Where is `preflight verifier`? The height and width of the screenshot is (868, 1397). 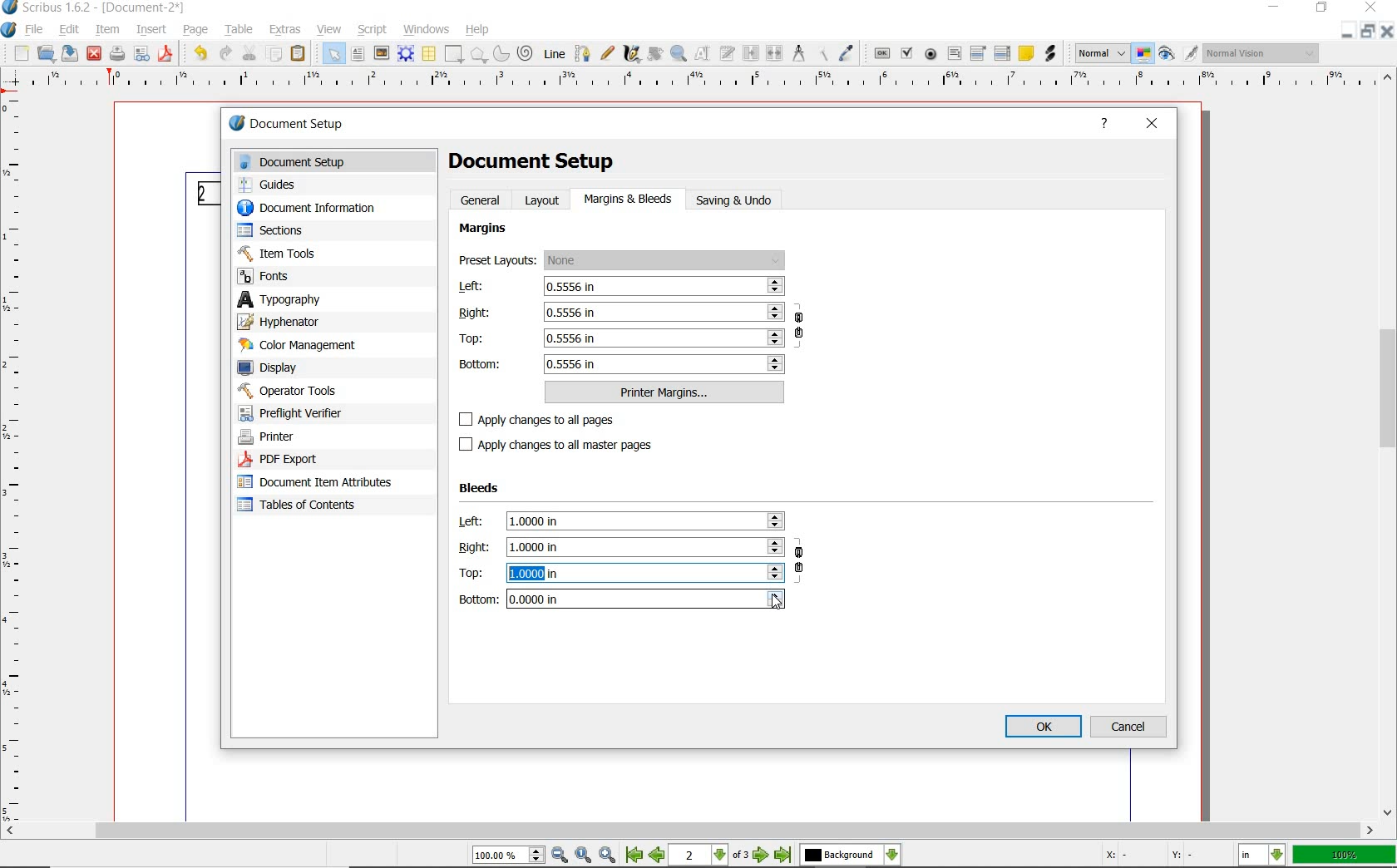 preflight verifier is located at coordinates (294, 415).